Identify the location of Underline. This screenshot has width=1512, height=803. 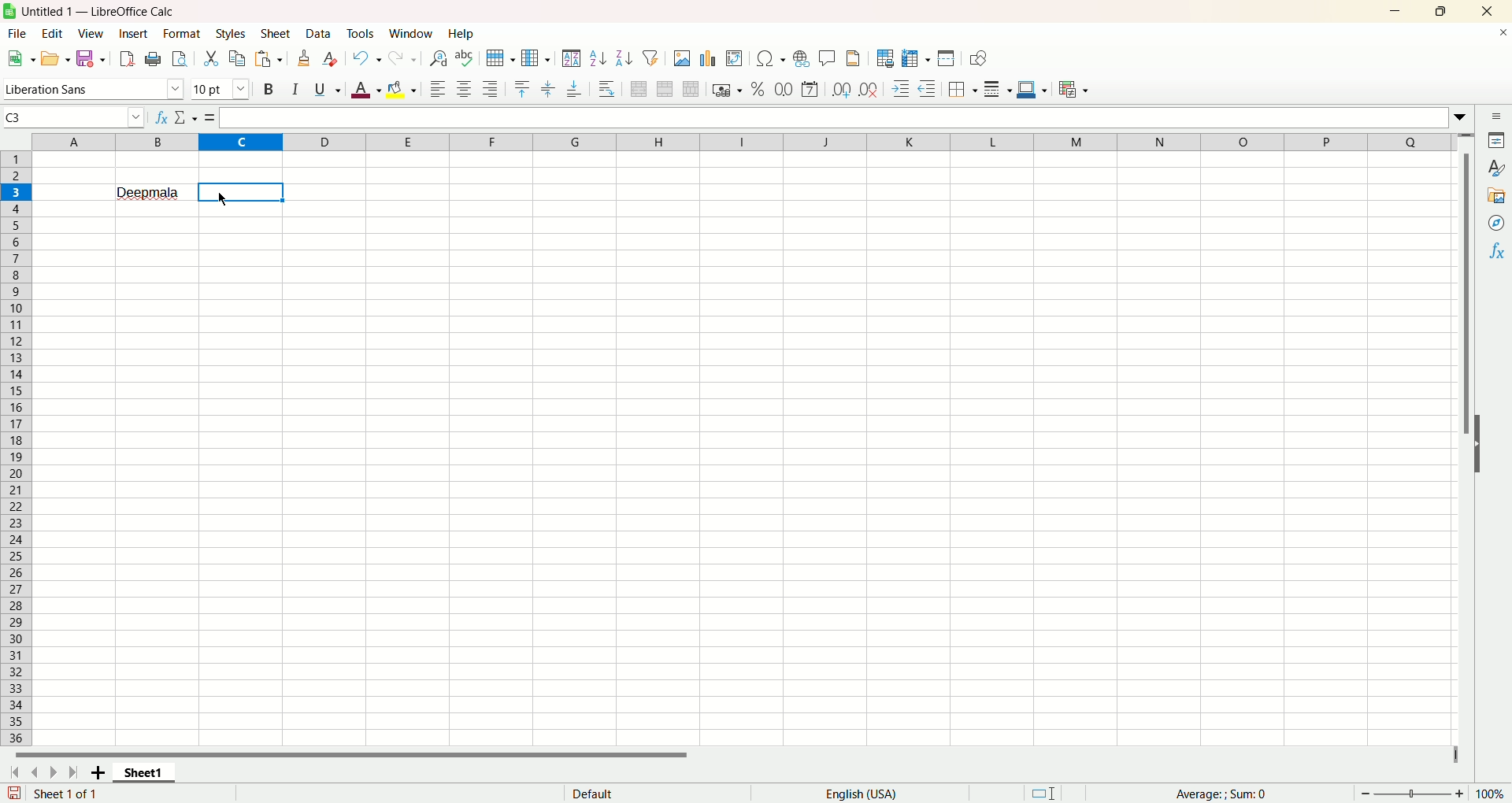
(328, 89).